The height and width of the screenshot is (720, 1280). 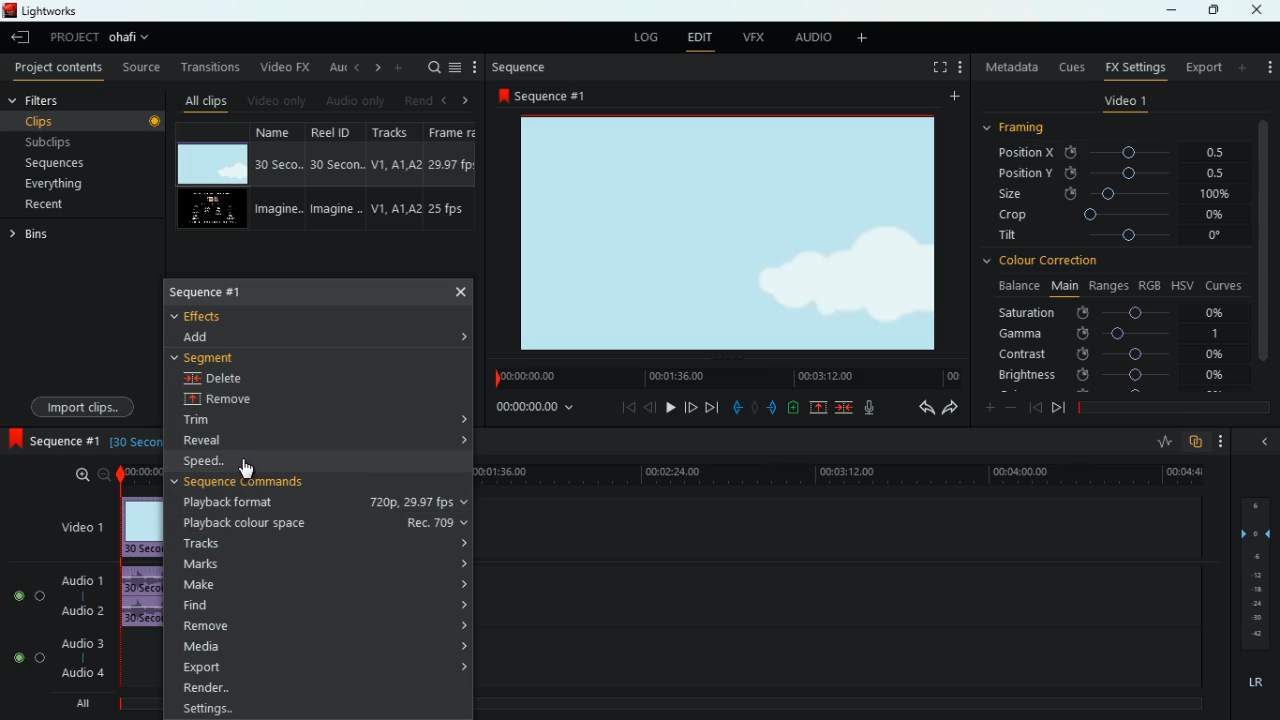 I want to click on close, so click(x=1261, y=10).